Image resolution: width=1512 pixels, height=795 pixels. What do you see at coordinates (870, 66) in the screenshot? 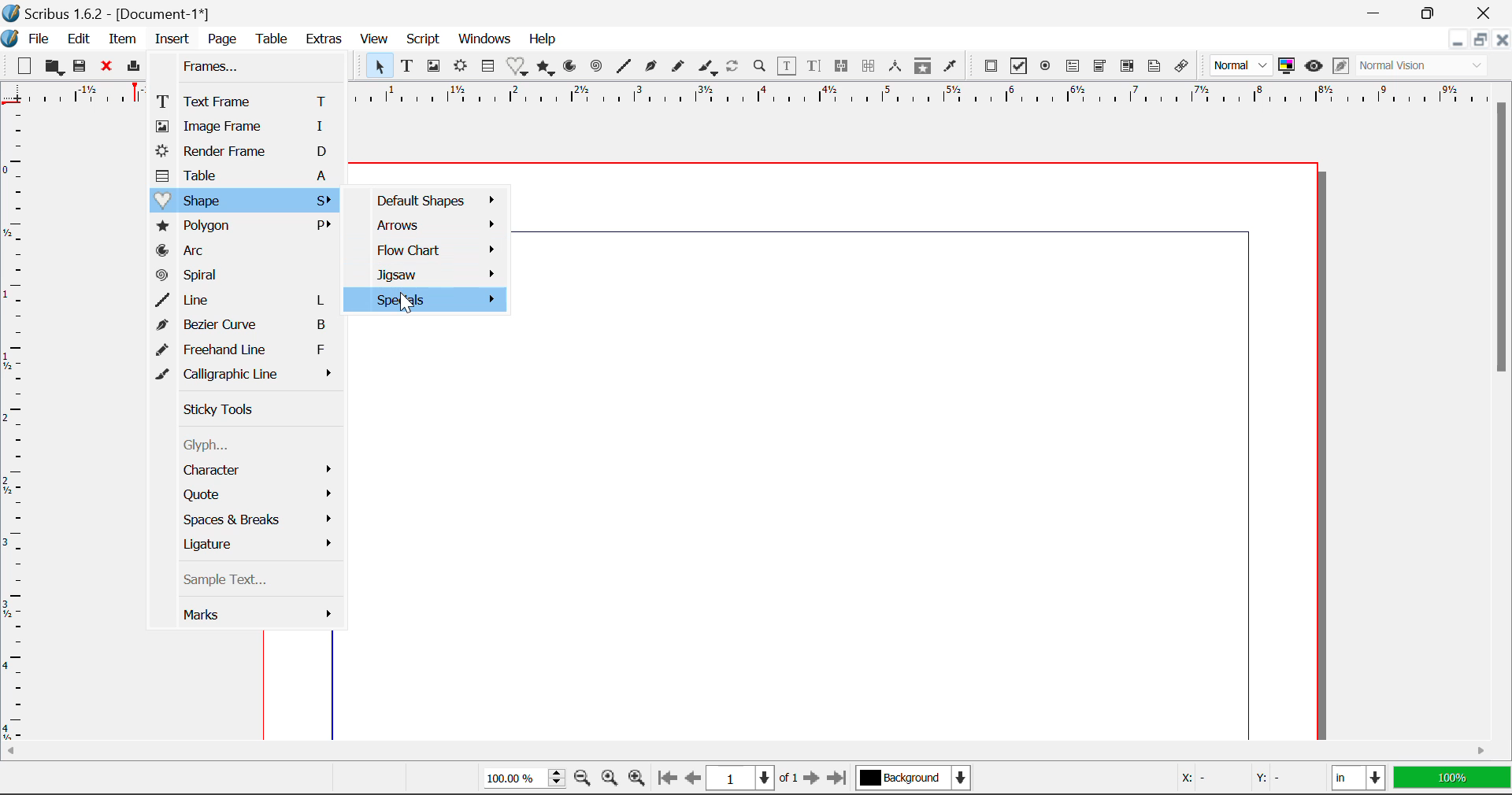
I see `Delink Text Frames` at bounding box center [870, 66].